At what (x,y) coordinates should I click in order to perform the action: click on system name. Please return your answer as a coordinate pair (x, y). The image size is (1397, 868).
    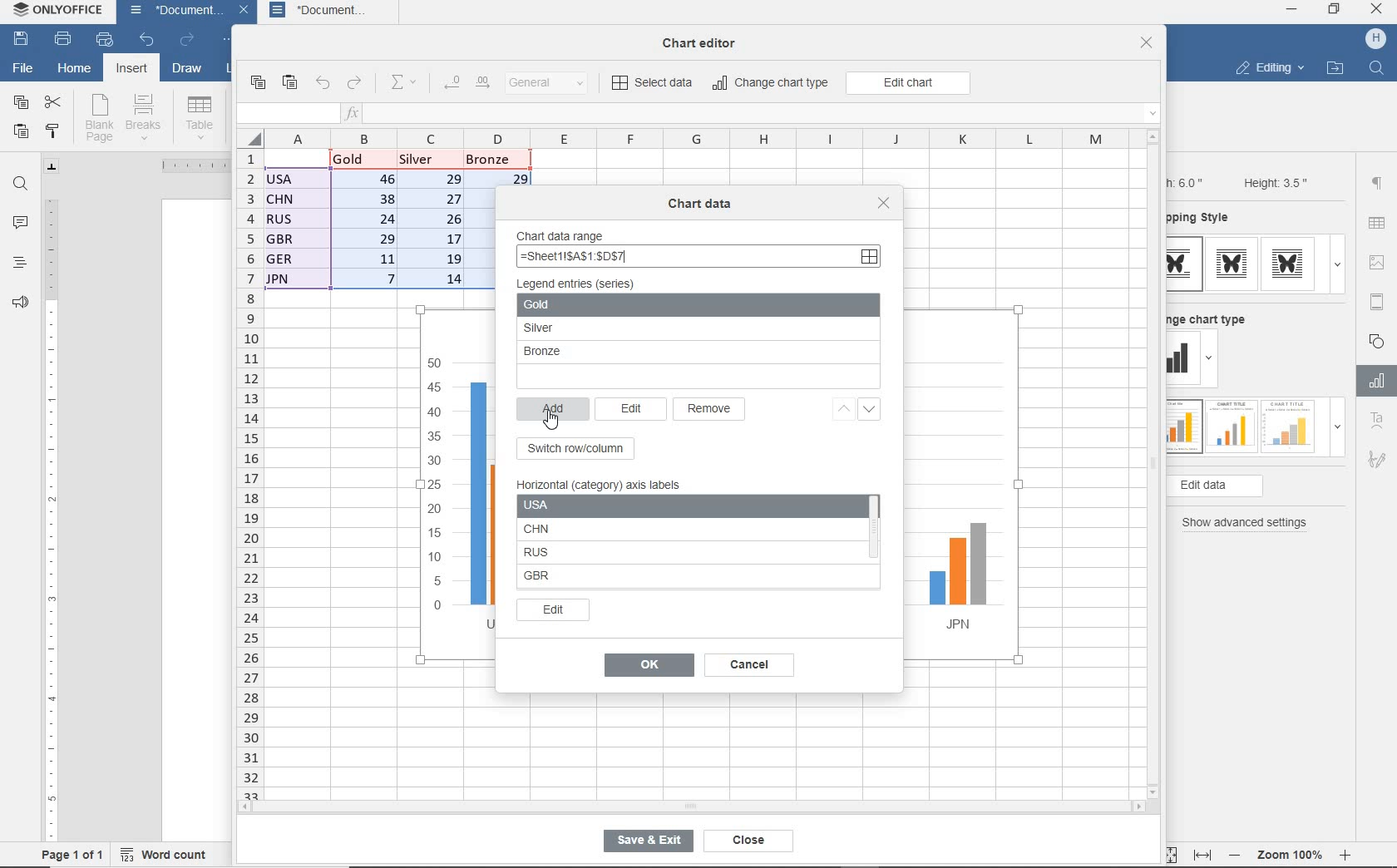
    Looking at the image, I should click on (61, 13).